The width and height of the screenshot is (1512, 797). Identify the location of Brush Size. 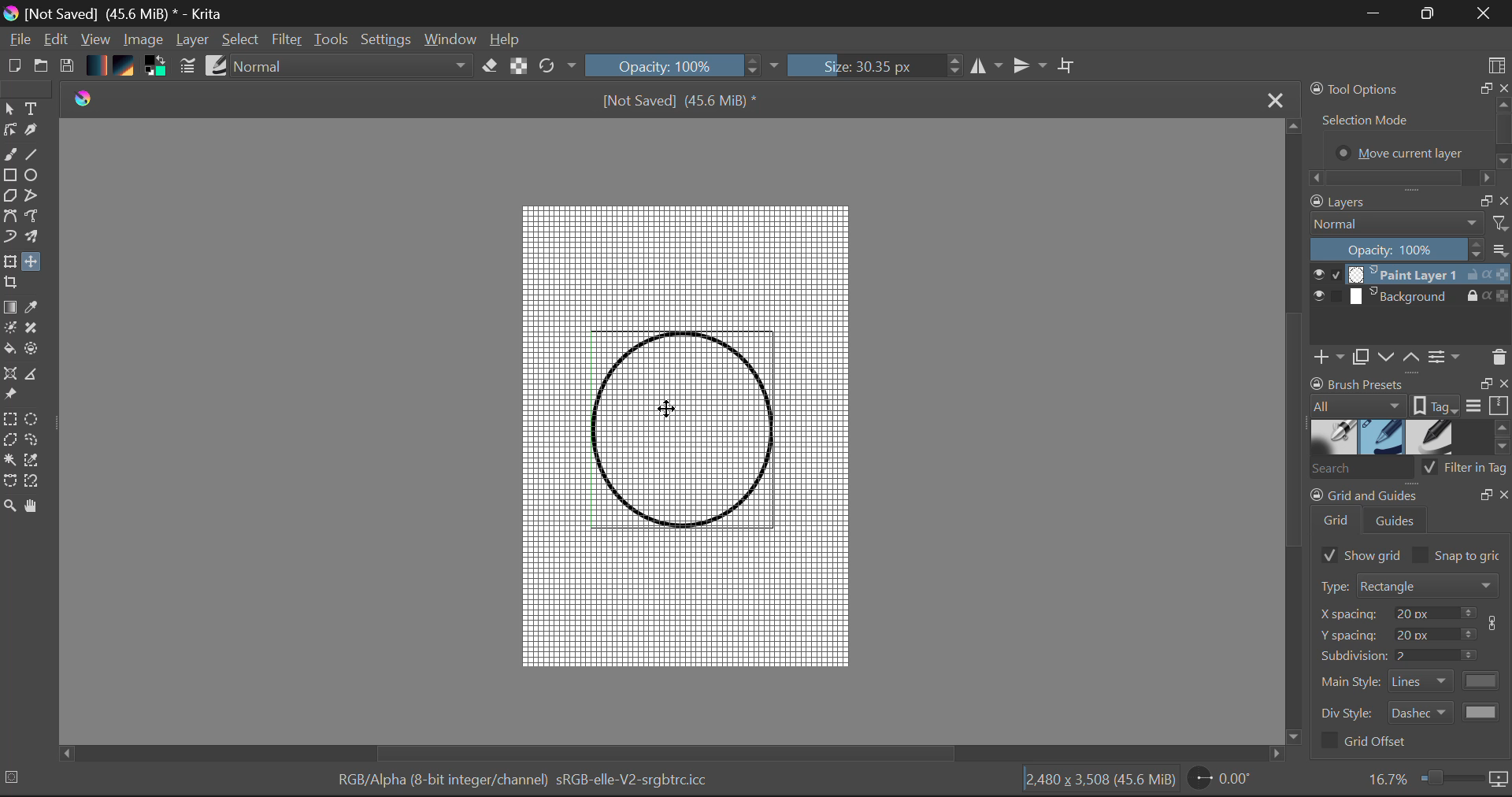
(876, 66).